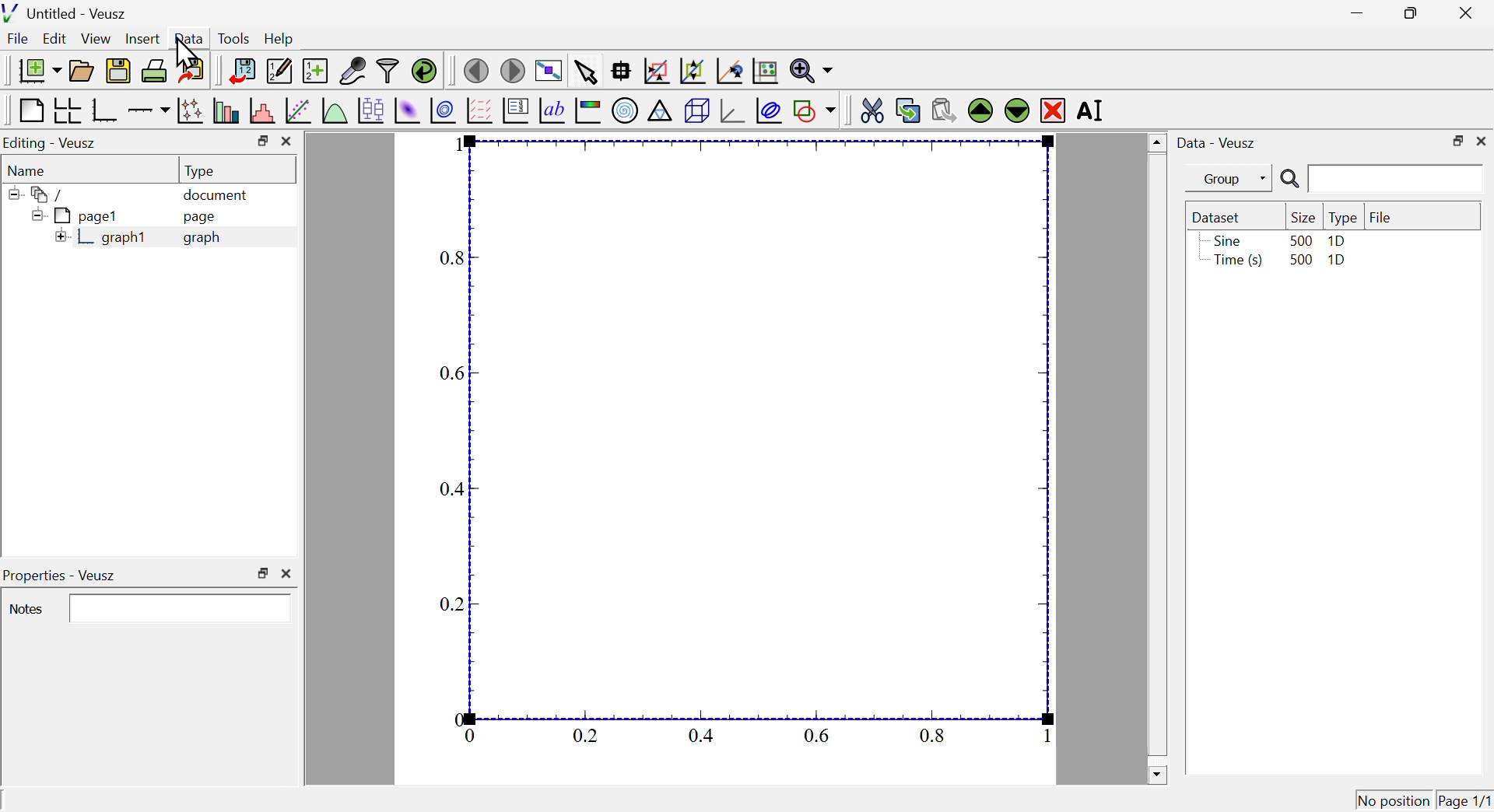  I want to click on recenter graph axes, so click(731, 71).